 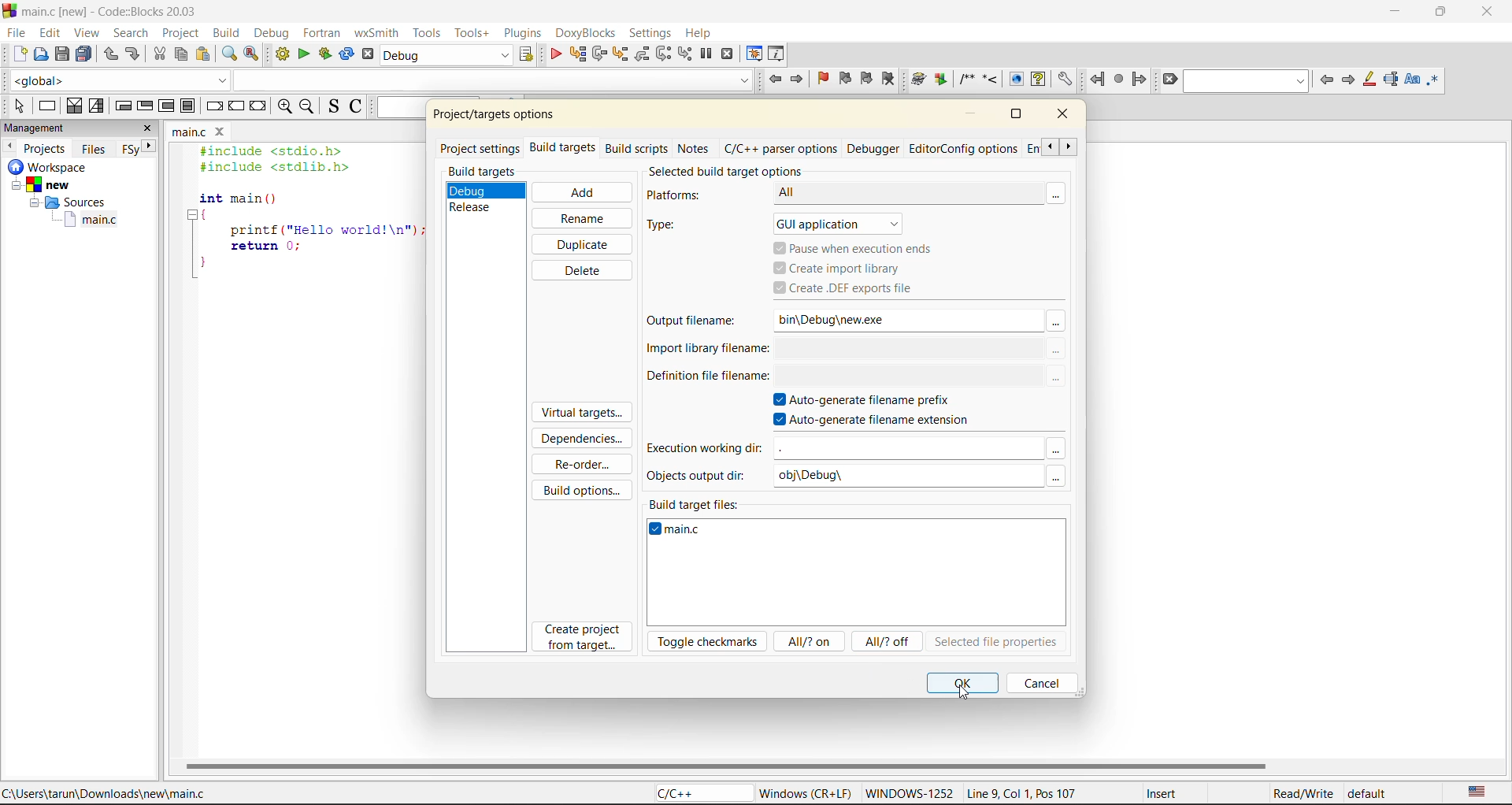 What do you see at coordinates (302, 217) in the screenshot?
I see `#include <stdio.h>

#include <stdlib.h>

int main ()

{
printf ("Hello world!\n");
return 0;

}` at bounding box center [302, 217].